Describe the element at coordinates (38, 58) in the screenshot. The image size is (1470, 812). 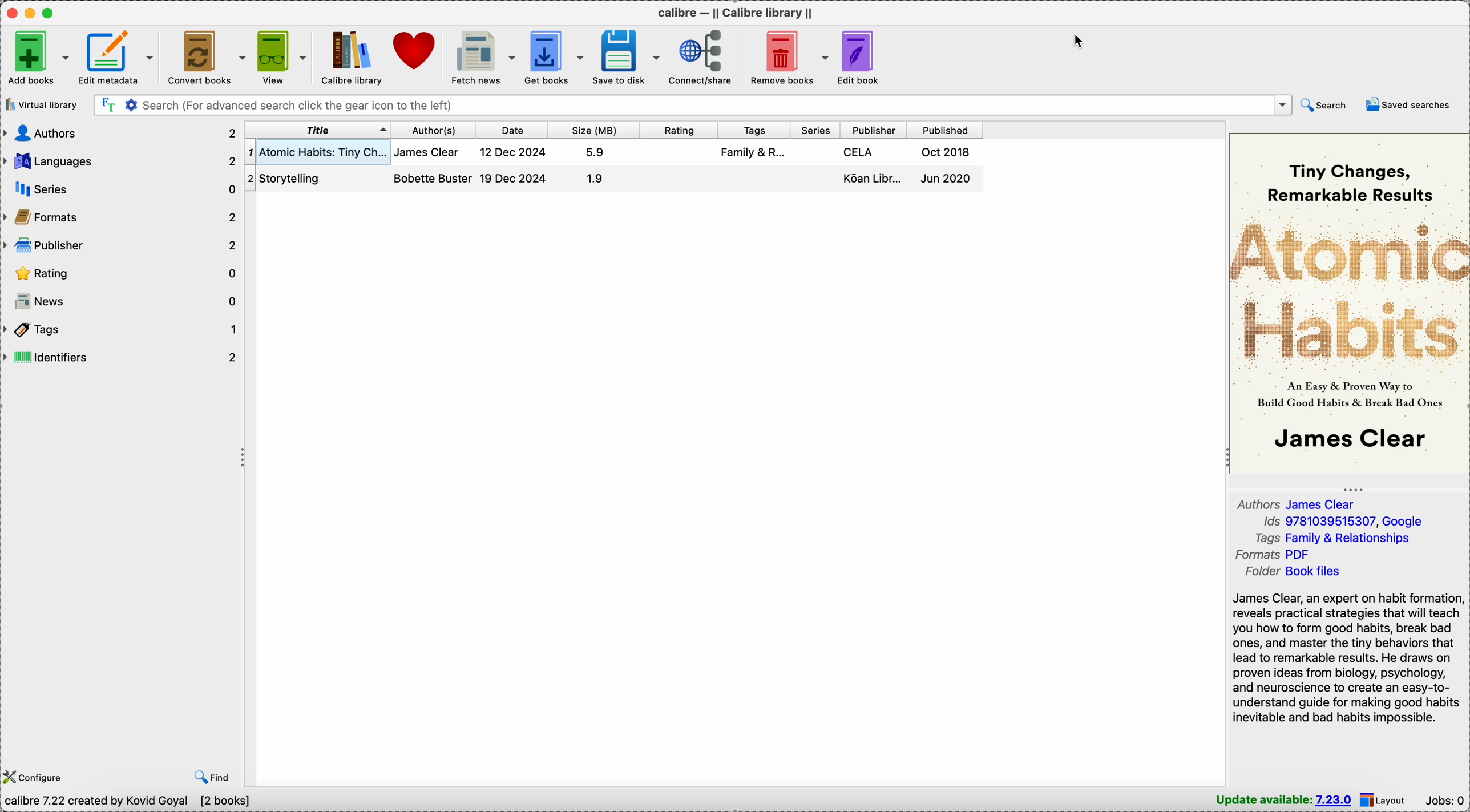
I see `add books` at that location.